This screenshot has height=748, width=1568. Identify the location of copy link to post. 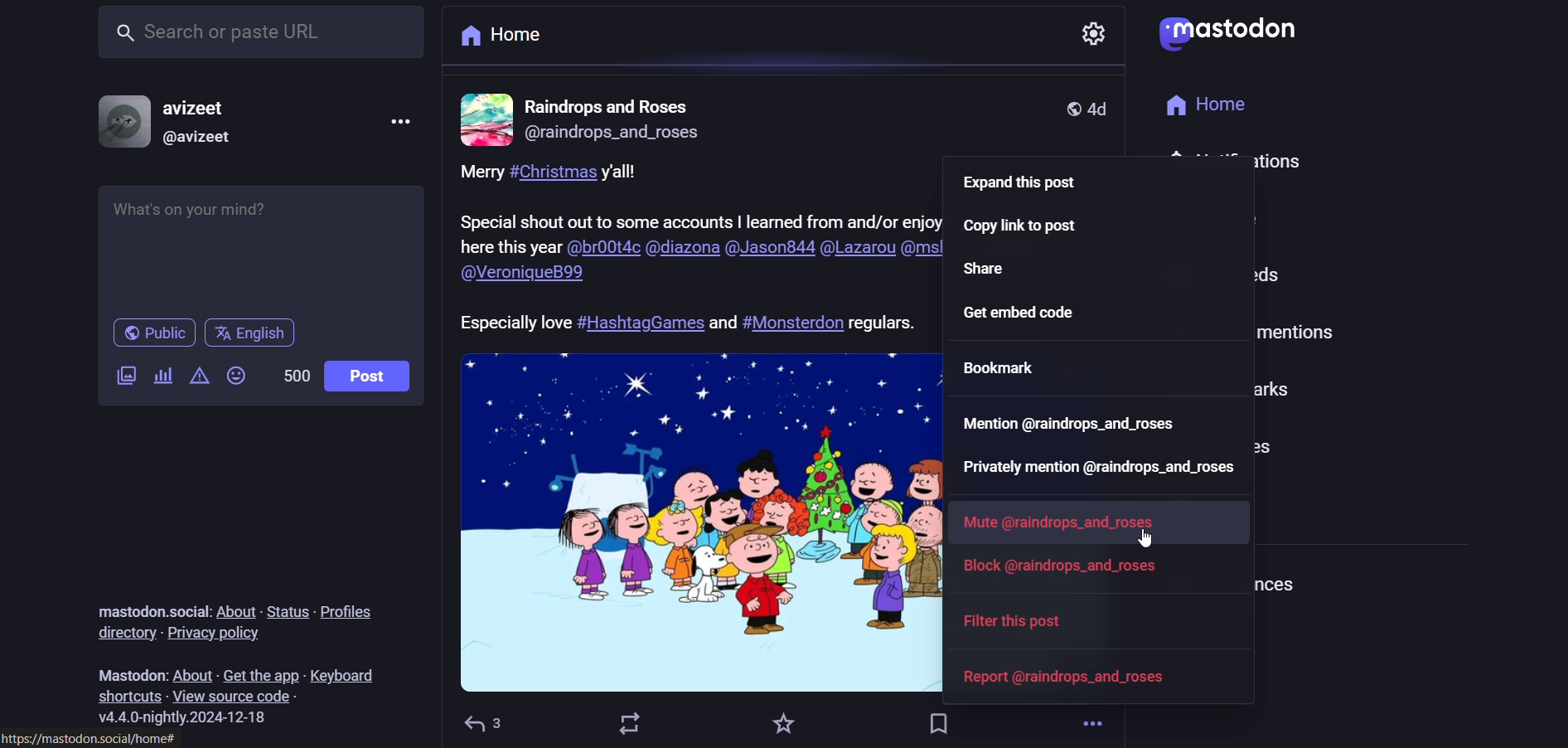
(1021, 229).